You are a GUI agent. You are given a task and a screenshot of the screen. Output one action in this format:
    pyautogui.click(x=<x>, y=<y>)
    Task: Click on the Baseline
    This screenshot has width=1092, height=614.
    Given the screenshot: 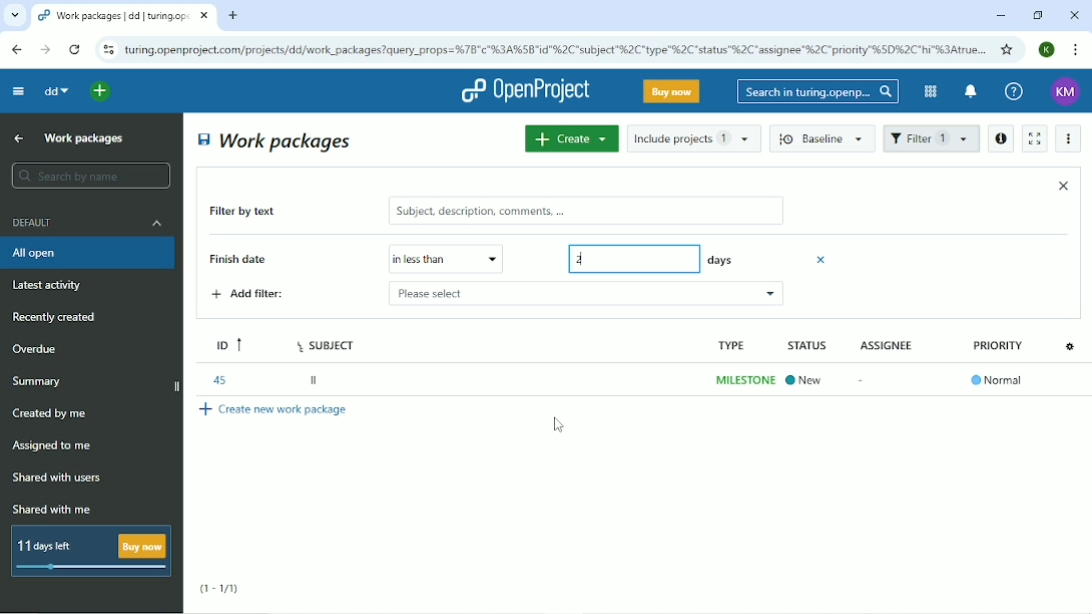 What is the action you would take?
    pyautogui.click(x=824, y=138)
    